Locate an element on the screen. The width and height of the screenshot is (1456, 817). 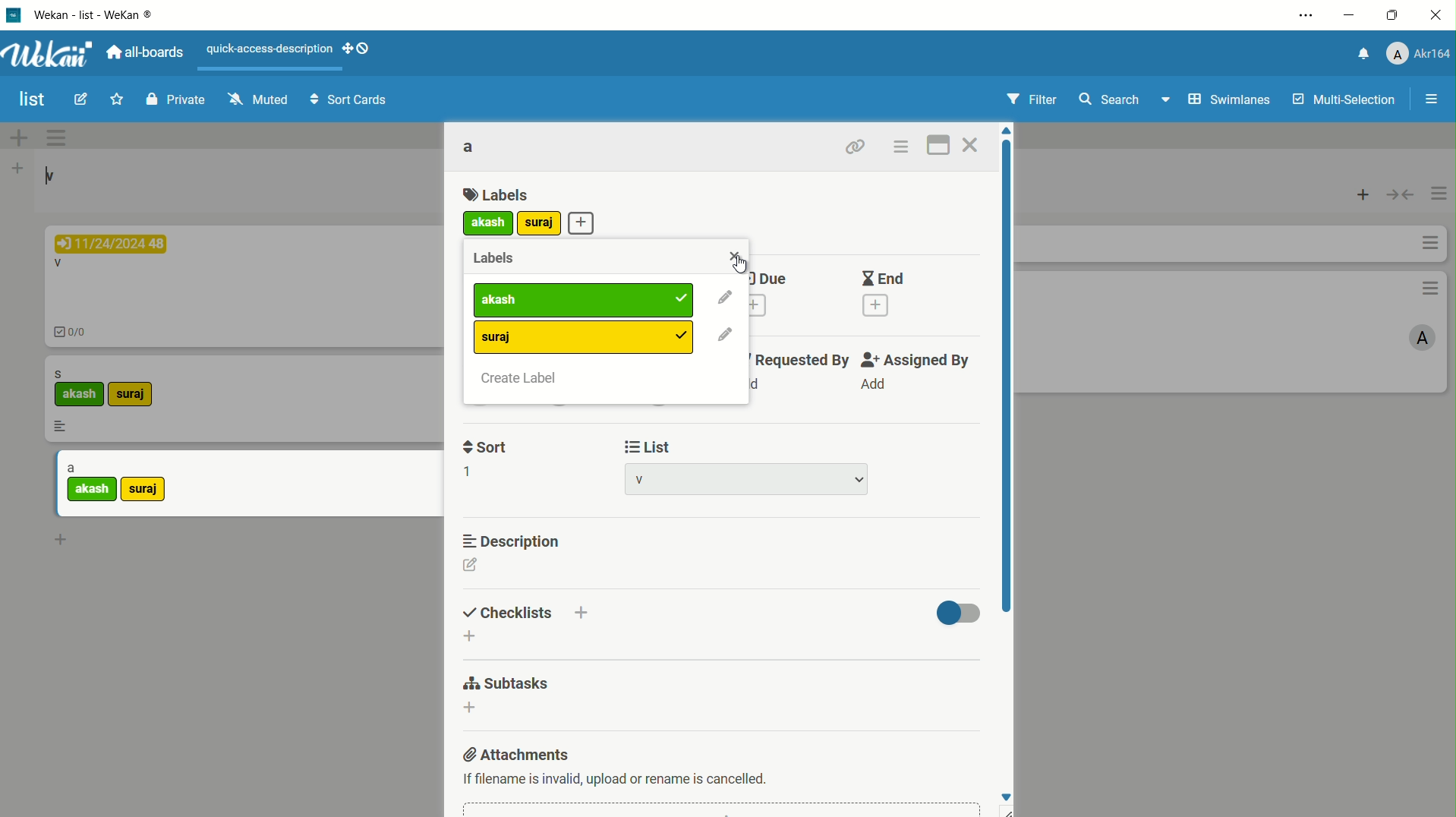
list name is located at coordinates (639, 477).